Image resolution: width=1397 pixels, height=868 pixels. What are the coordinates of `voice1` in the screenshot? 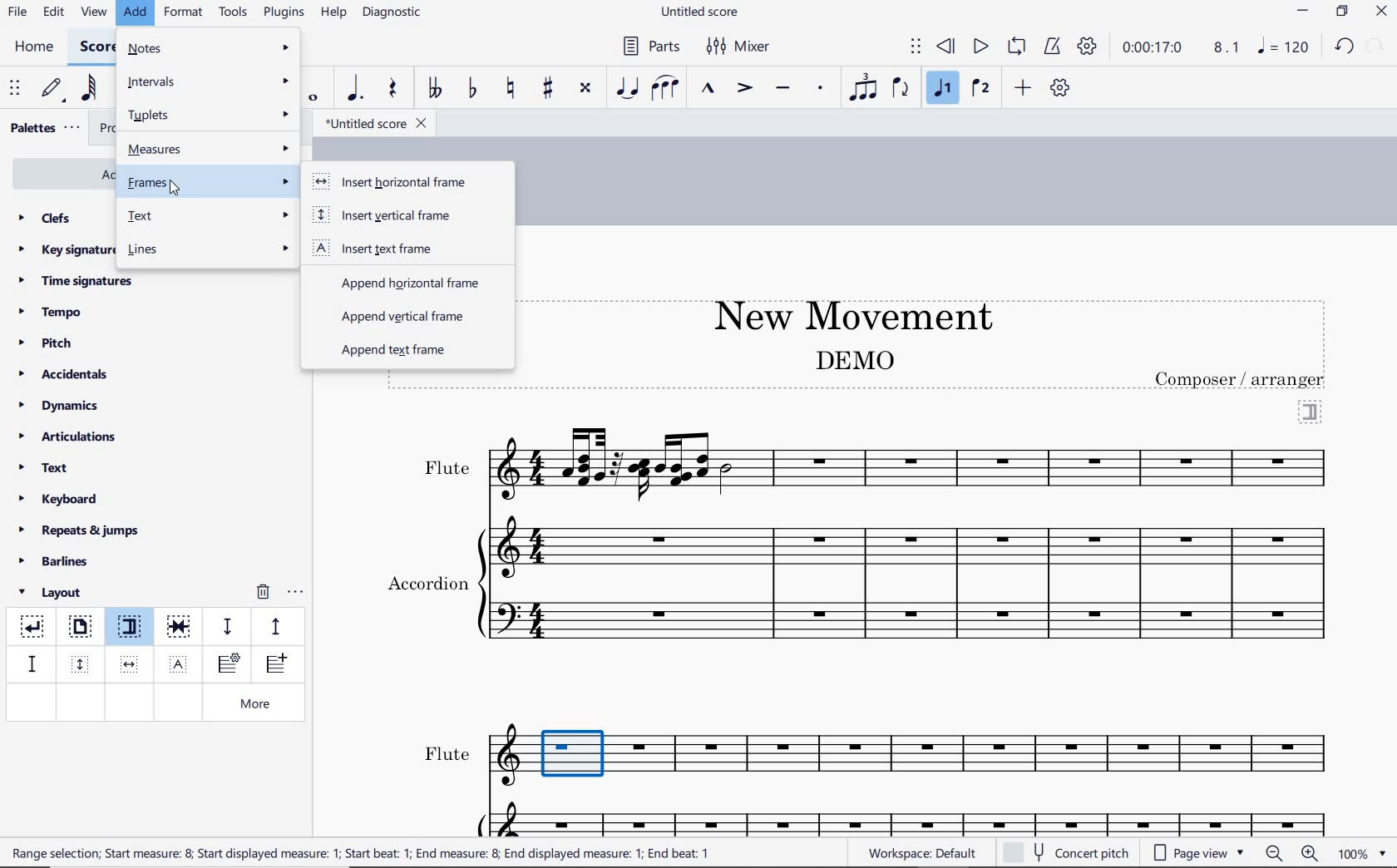 It's located at (945, 89).